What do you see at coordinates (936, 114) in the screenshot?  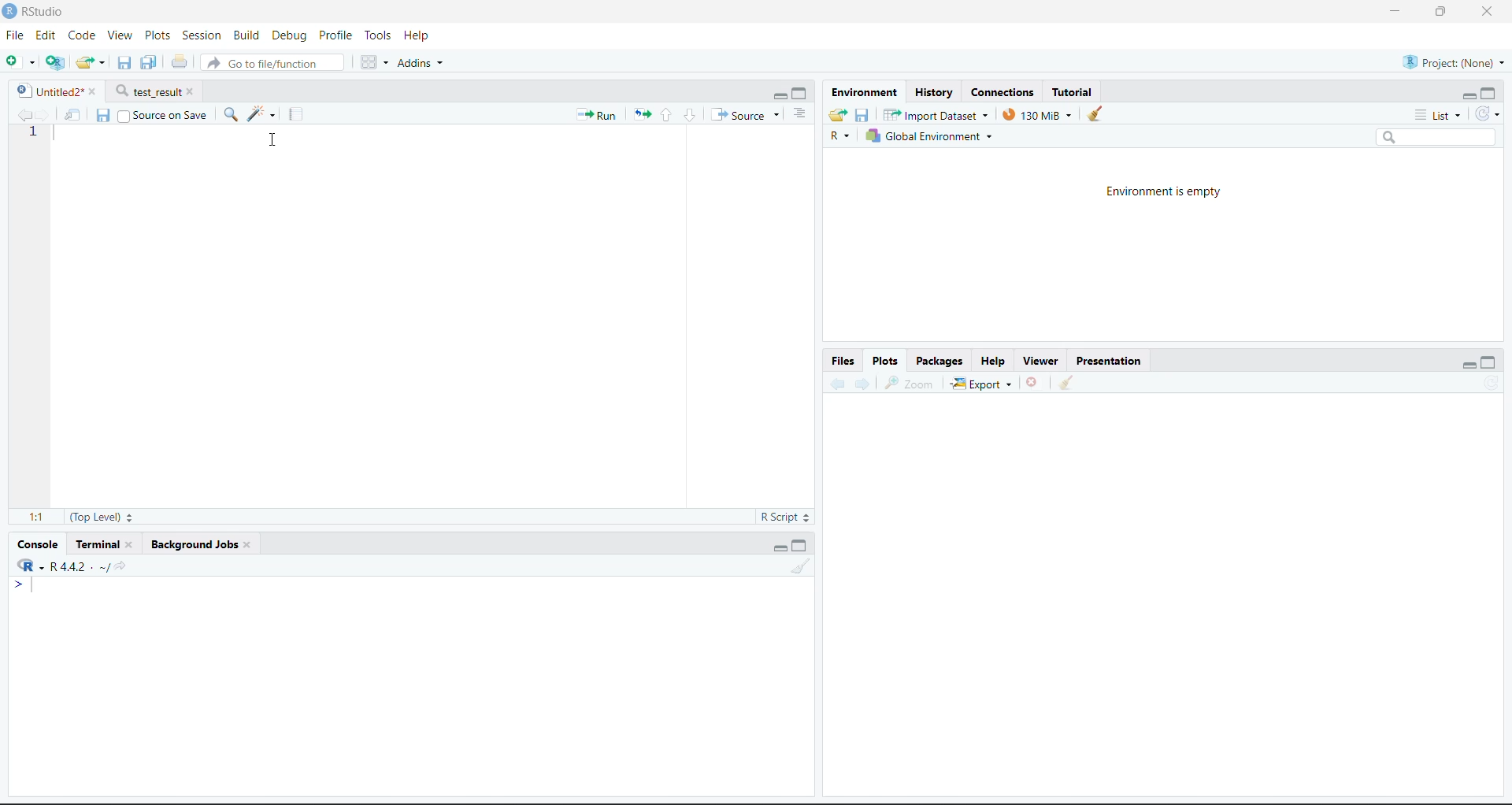 I see `Import Dataset` at bounding box center [936, 114].